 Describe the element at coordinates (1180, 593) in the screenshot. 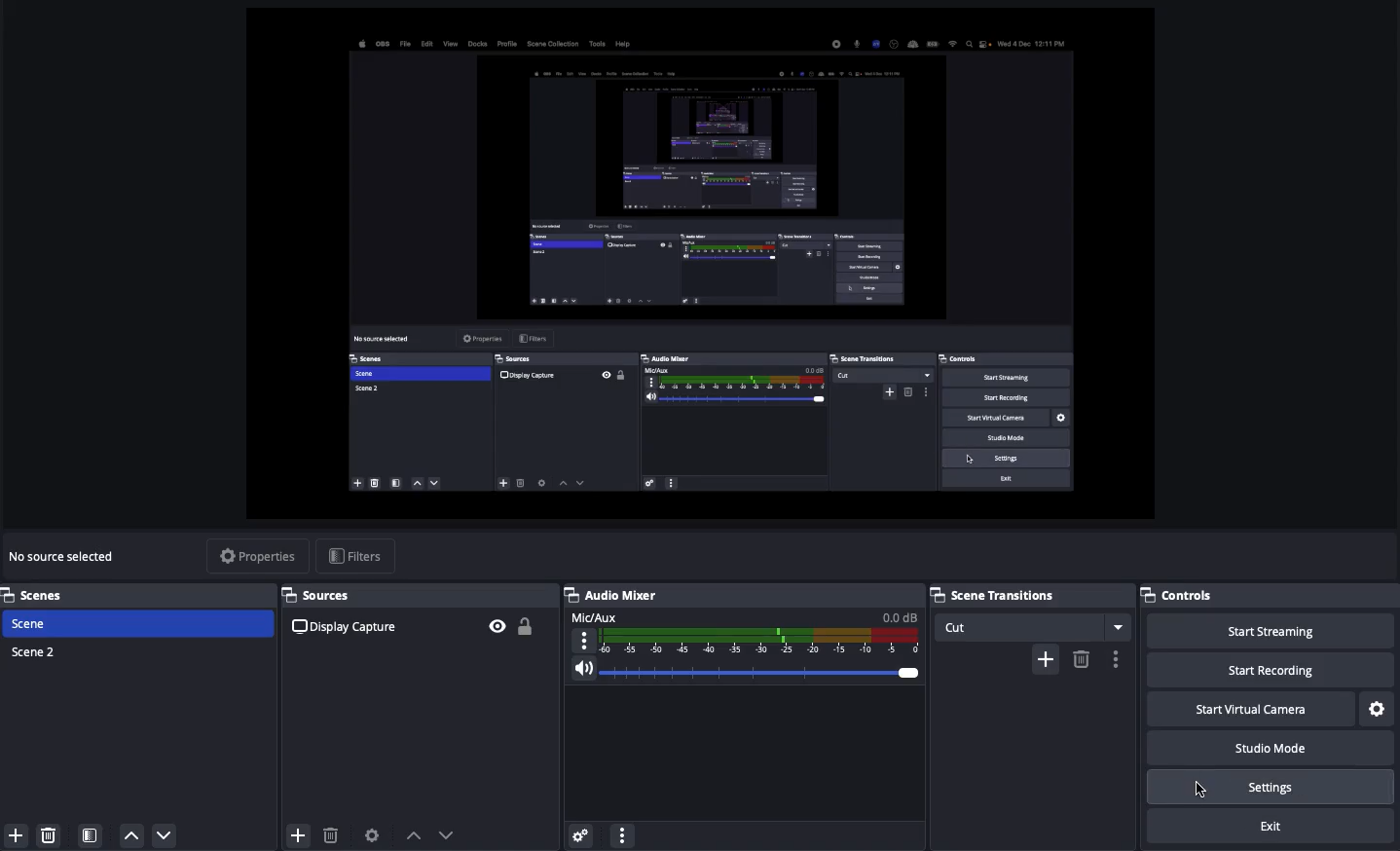

I see `Controls` at that location.